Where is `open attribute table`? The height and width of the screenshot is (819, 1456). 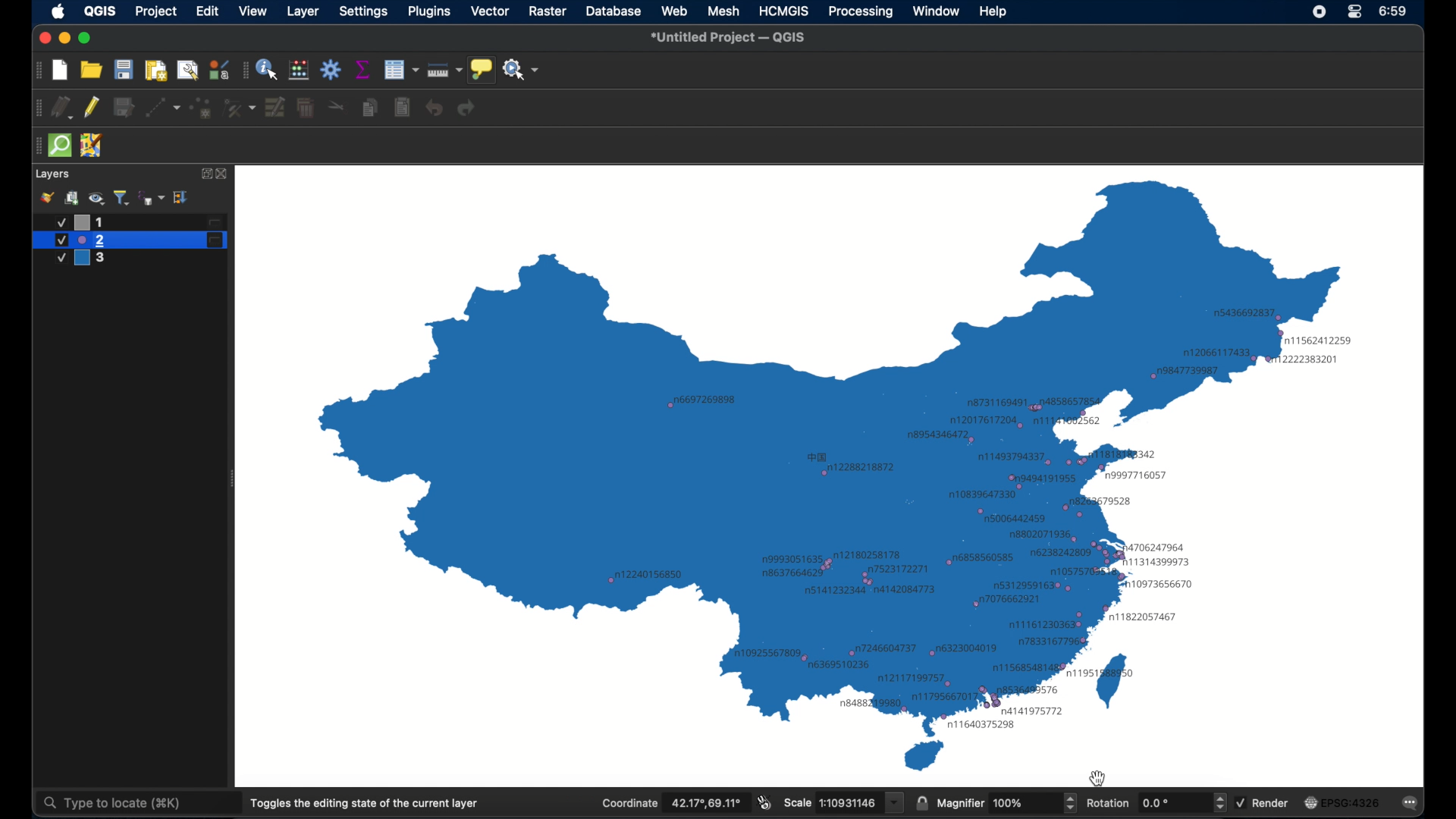
open attribute table is located at coordinates (402, 69).